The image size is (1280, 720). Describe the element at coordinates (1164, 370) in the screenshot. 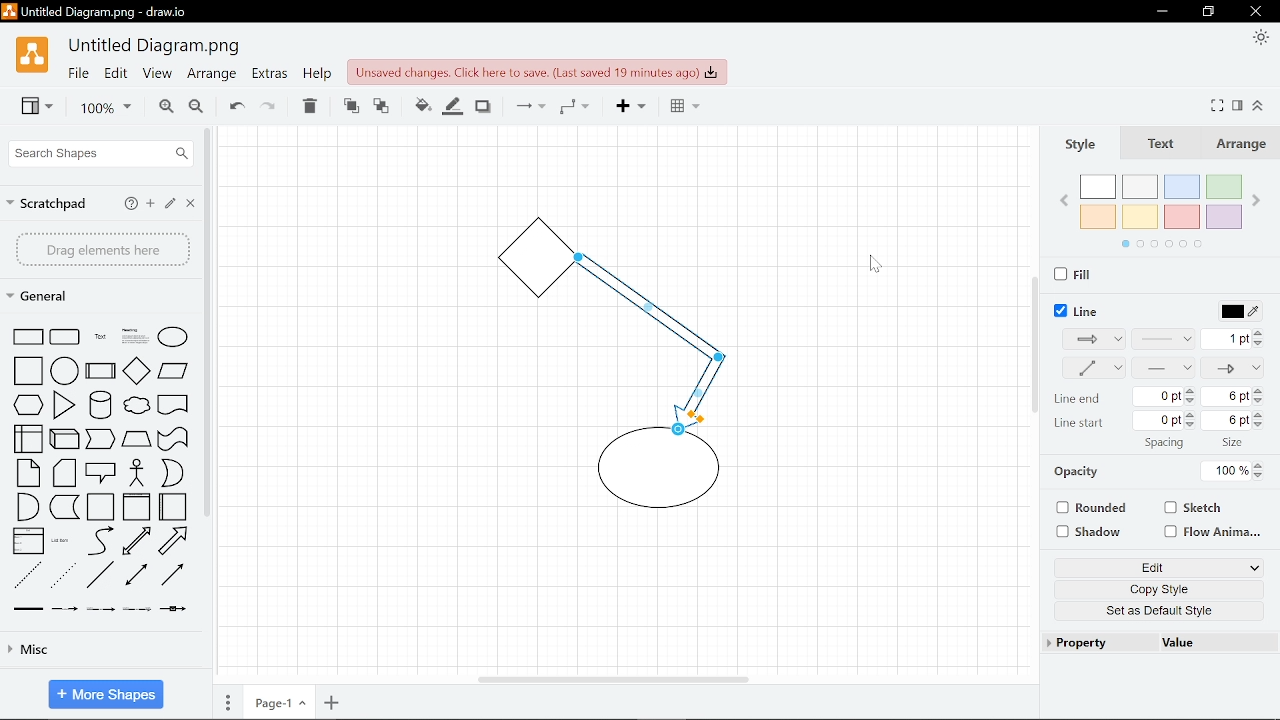

I see `dash symbol` at that location.